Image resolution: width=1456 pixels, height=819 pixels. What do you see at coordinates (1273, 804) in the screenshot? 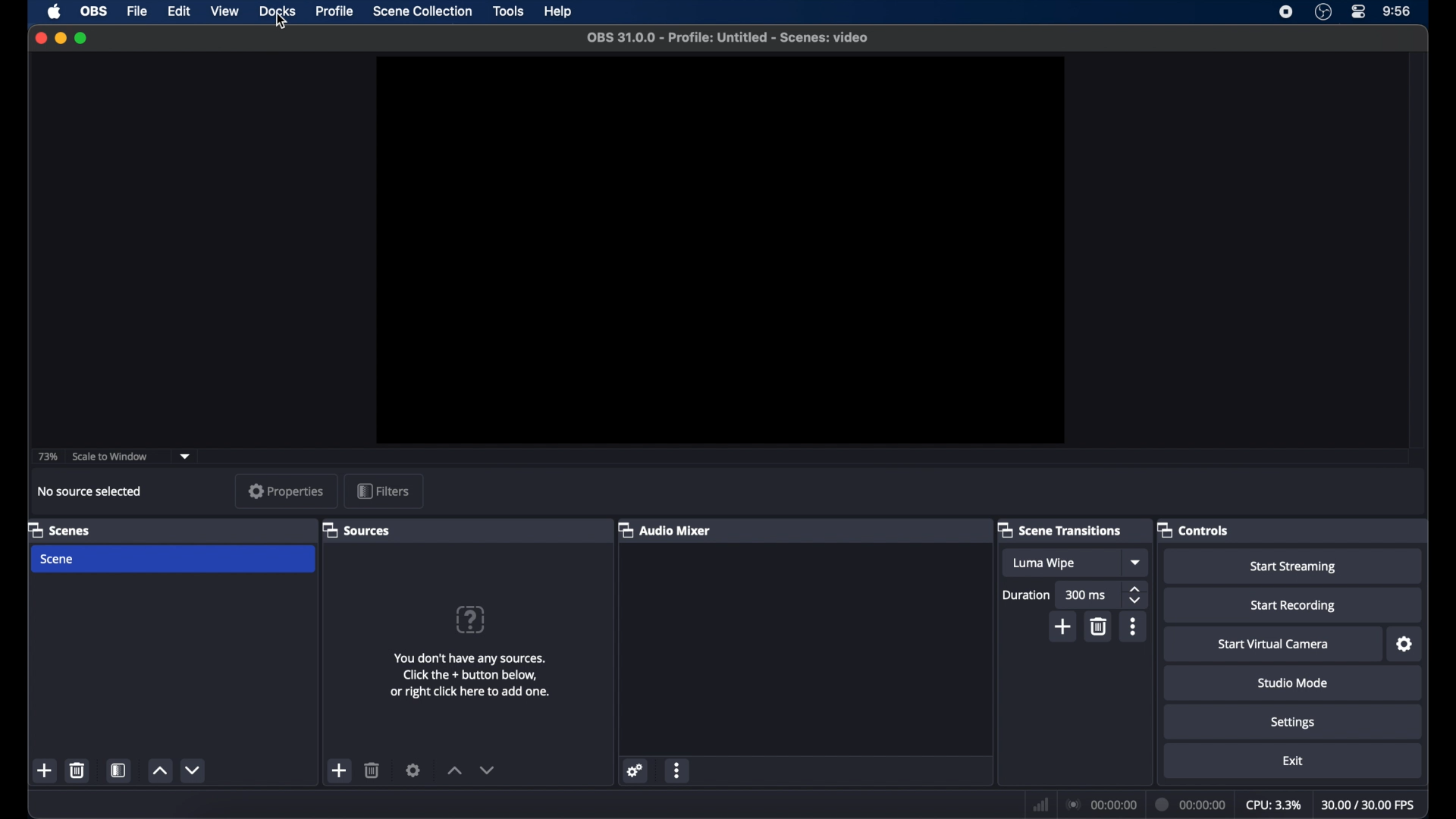
I see `cpu` at bounding box center [1273, 804].